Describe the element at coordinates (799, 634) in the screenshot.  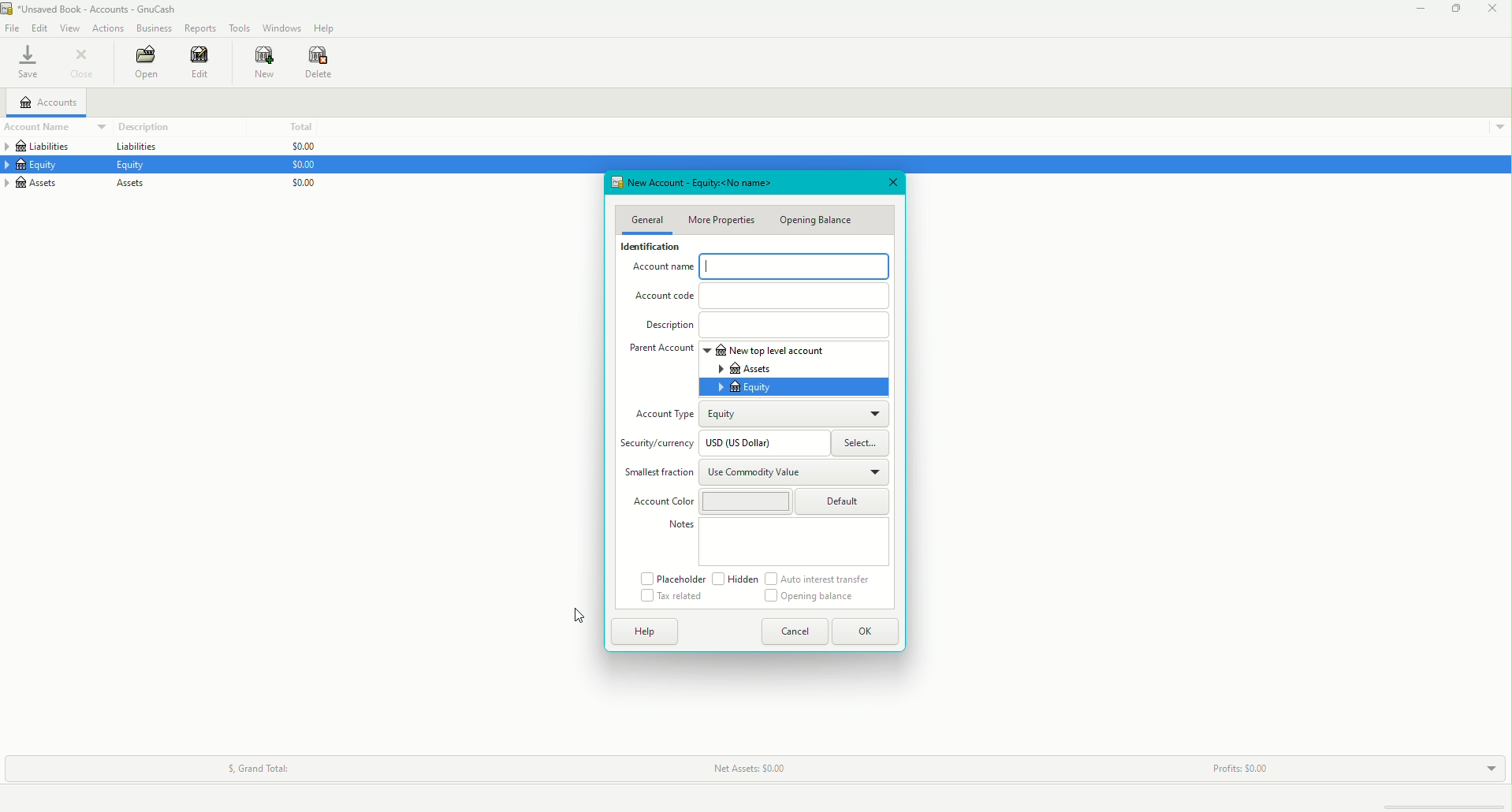
I see `Cancel` at that location.